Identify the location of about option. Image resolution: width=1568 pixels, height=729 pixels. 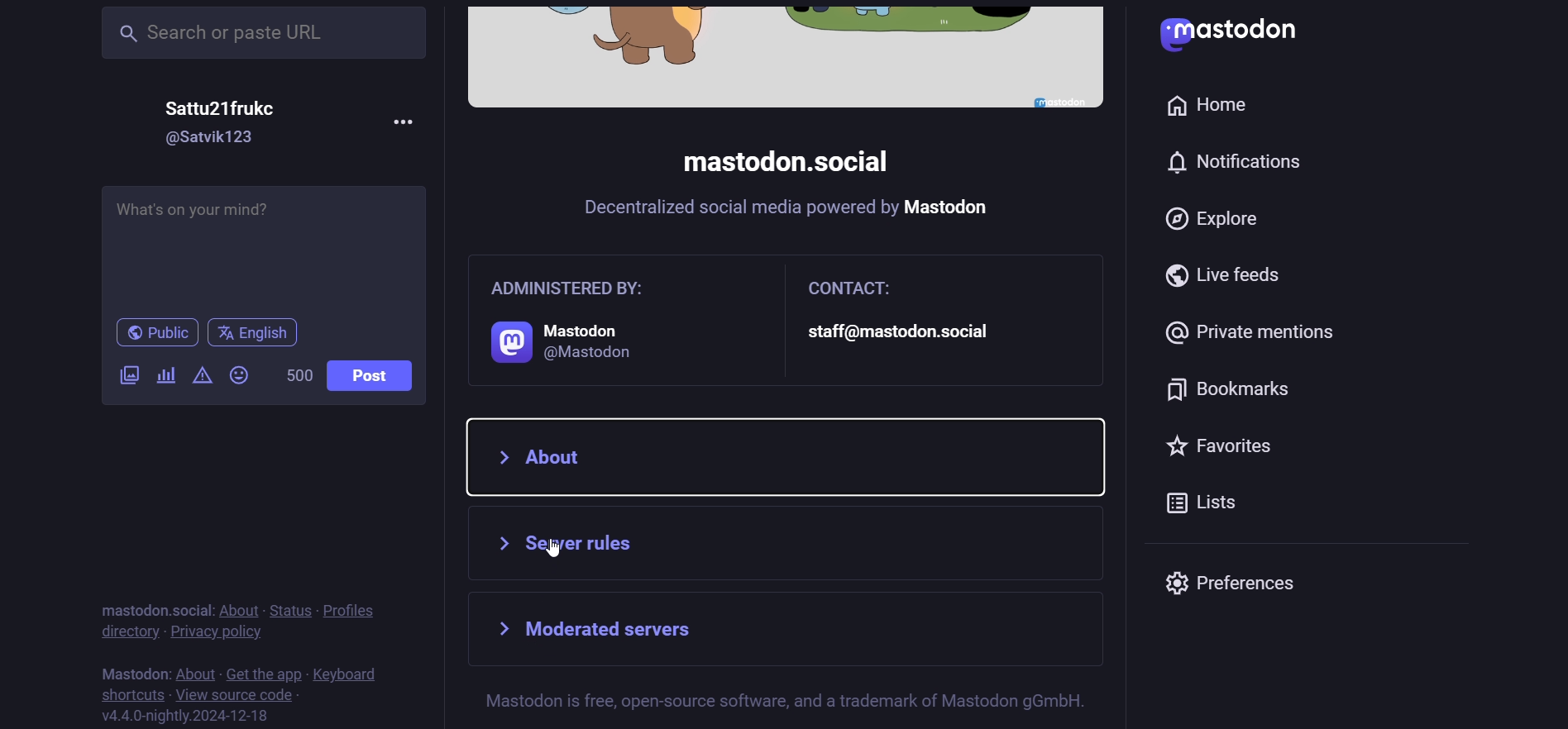
(789, 455).